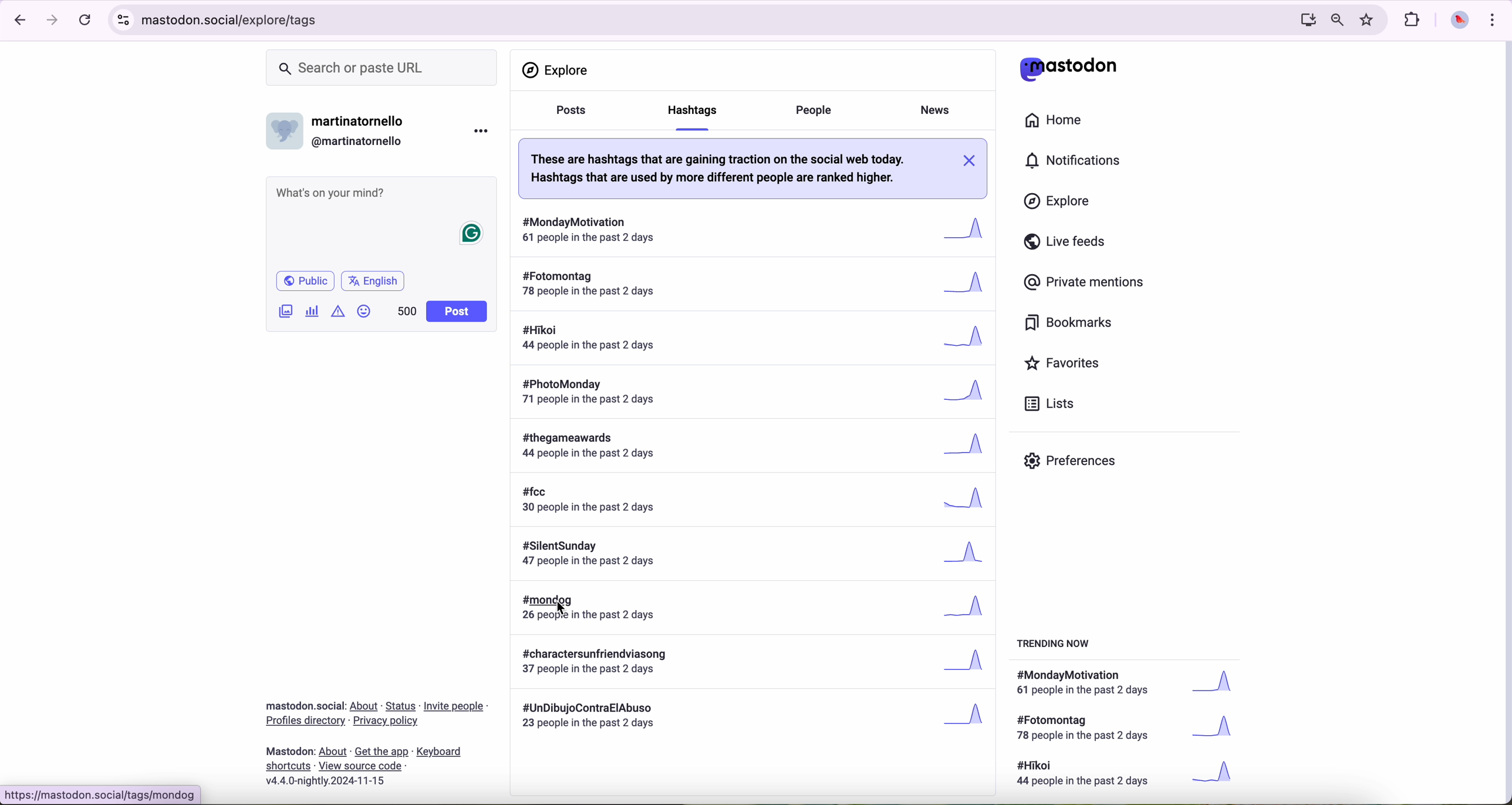  What do you see at coordinates (325, 782) in the screenshot?
I see `version` at bounding box center [325, 782].